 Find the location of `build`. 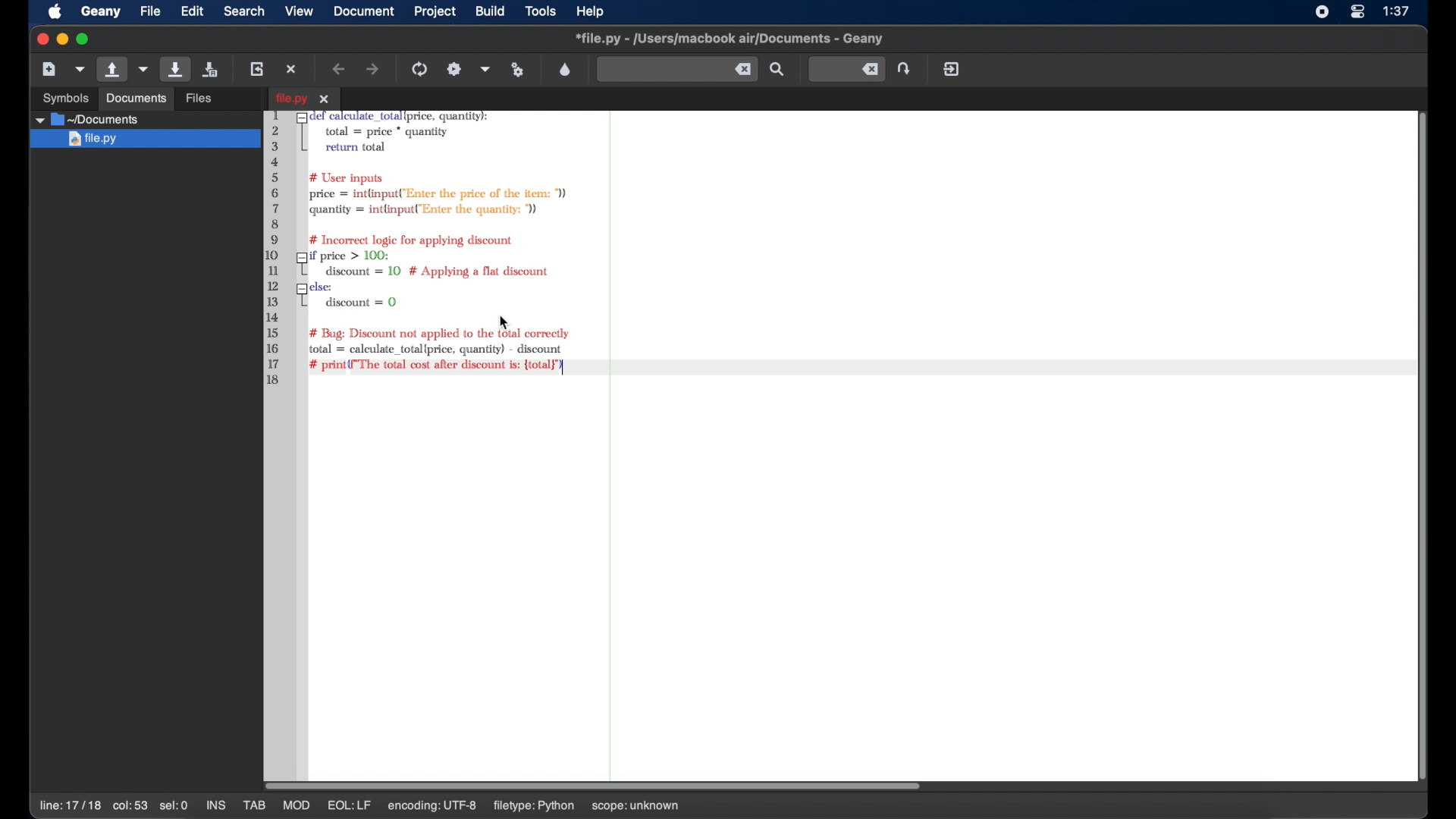

build is located at coordinates (491, 10).